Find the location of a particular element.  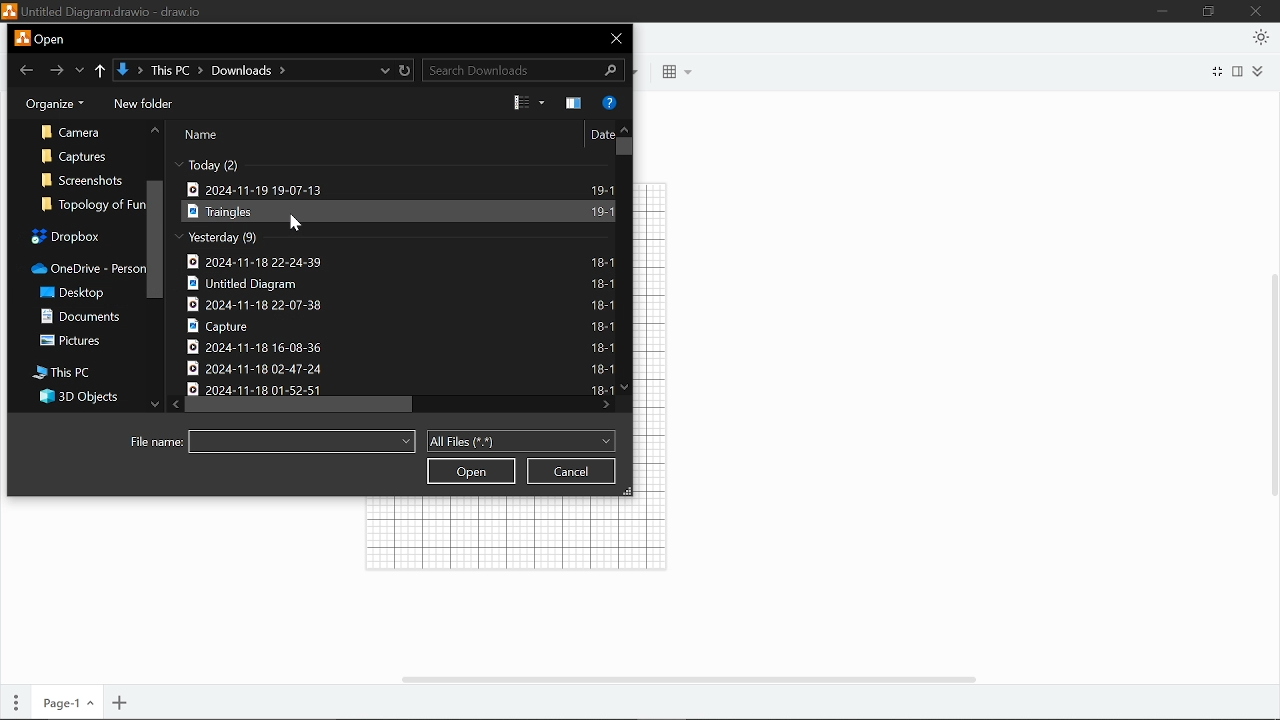

Pictures is located at coordinates (81, 345).